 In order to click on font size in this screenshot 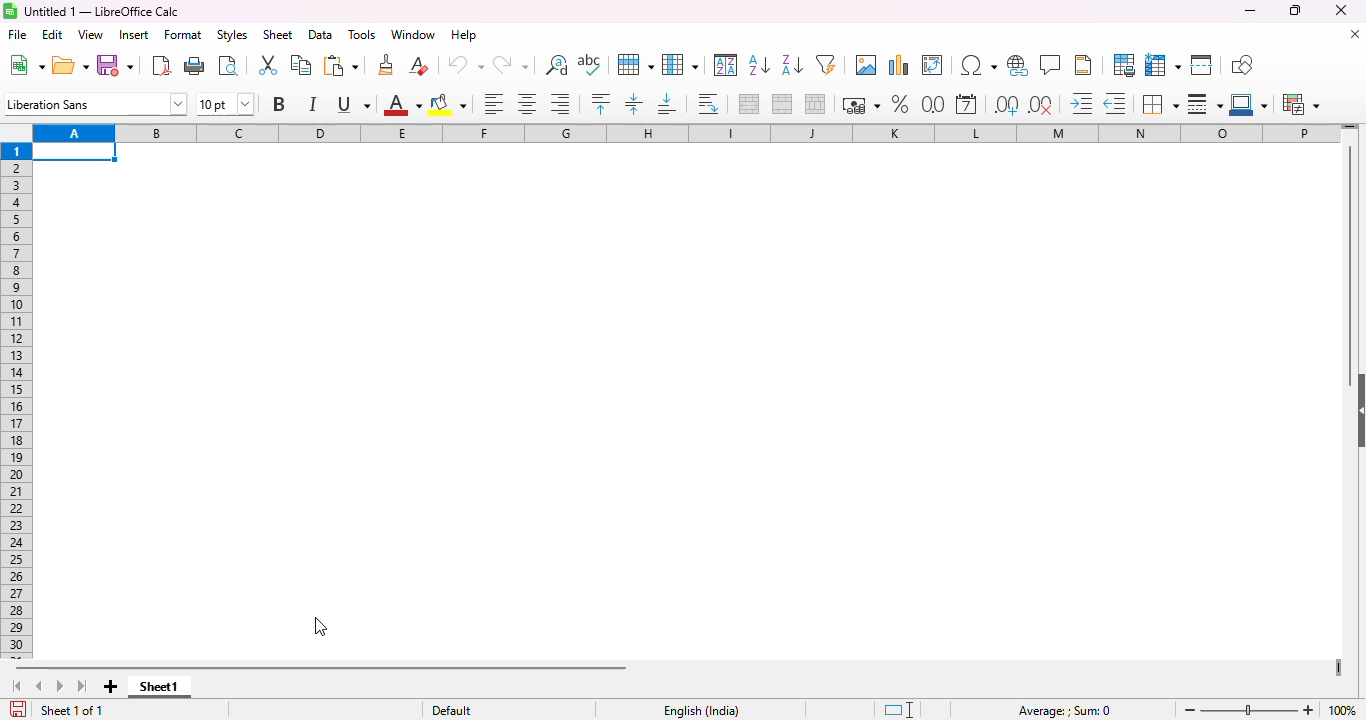, I will do `click(225, 104)`.